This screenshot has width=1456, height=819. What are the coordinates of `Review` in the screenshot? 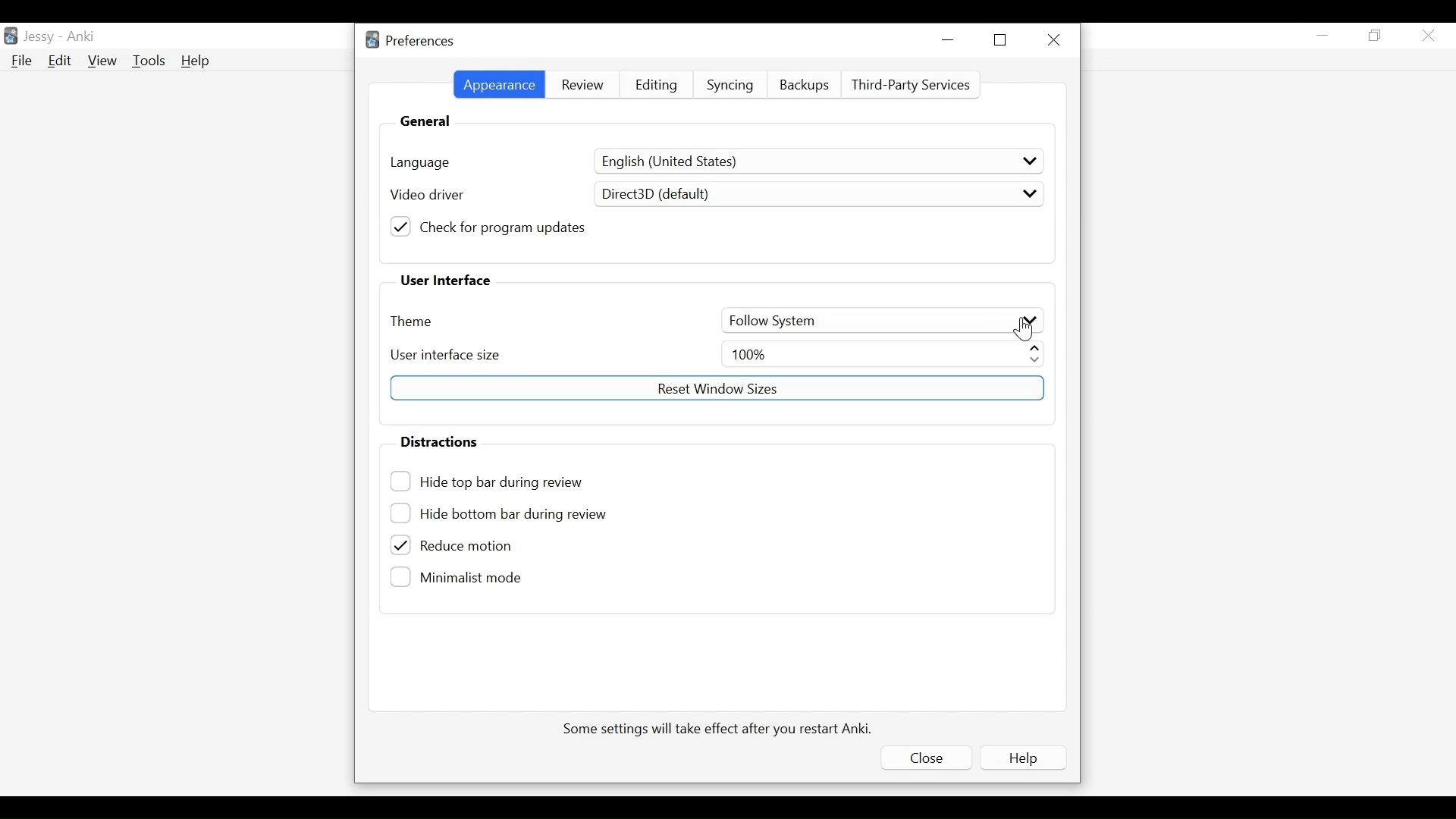 It's located at (581, 86).